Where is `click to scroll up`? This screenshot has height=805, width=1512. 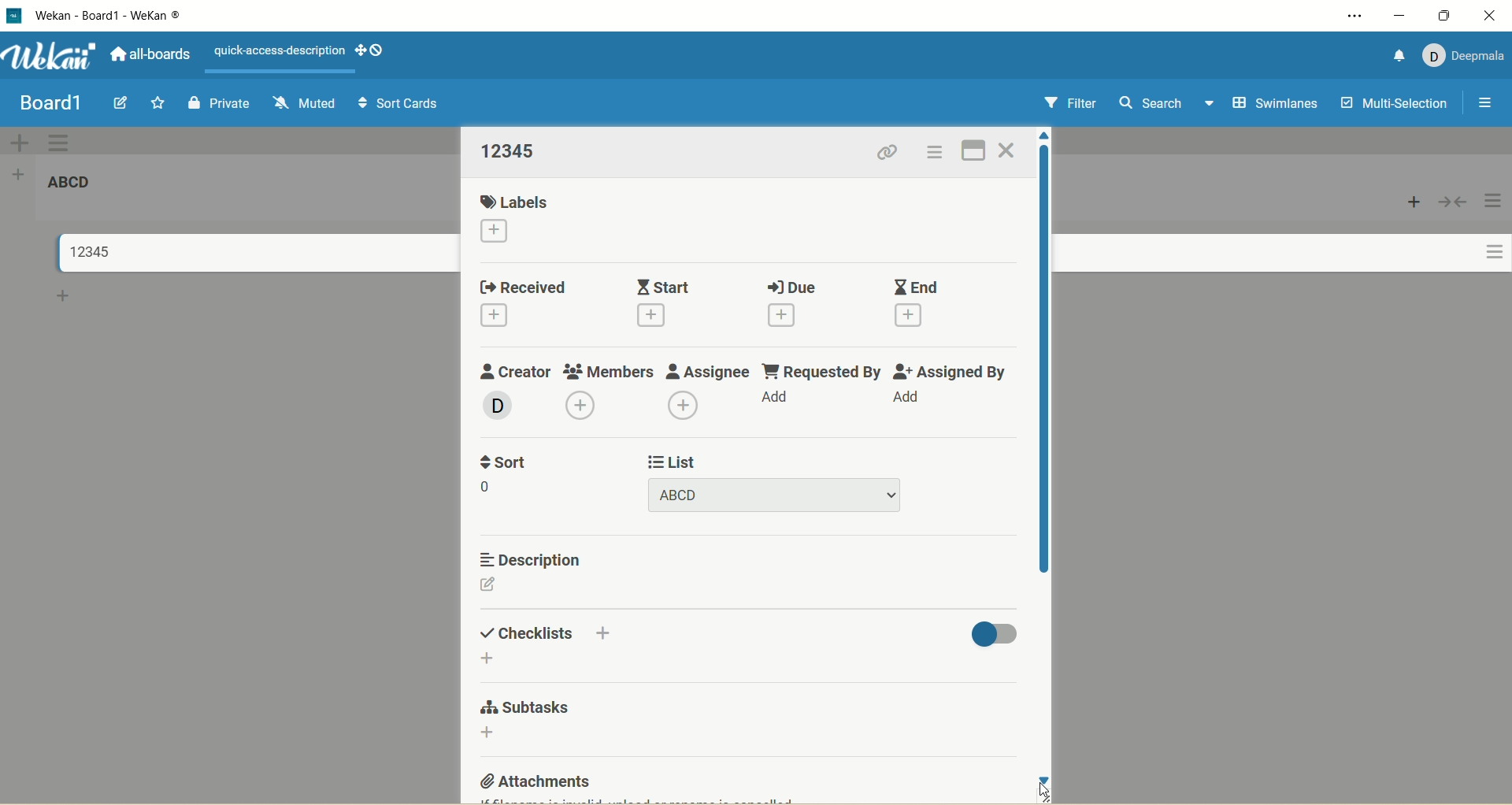 click to scroll up is located at coordinates (1047, 139).